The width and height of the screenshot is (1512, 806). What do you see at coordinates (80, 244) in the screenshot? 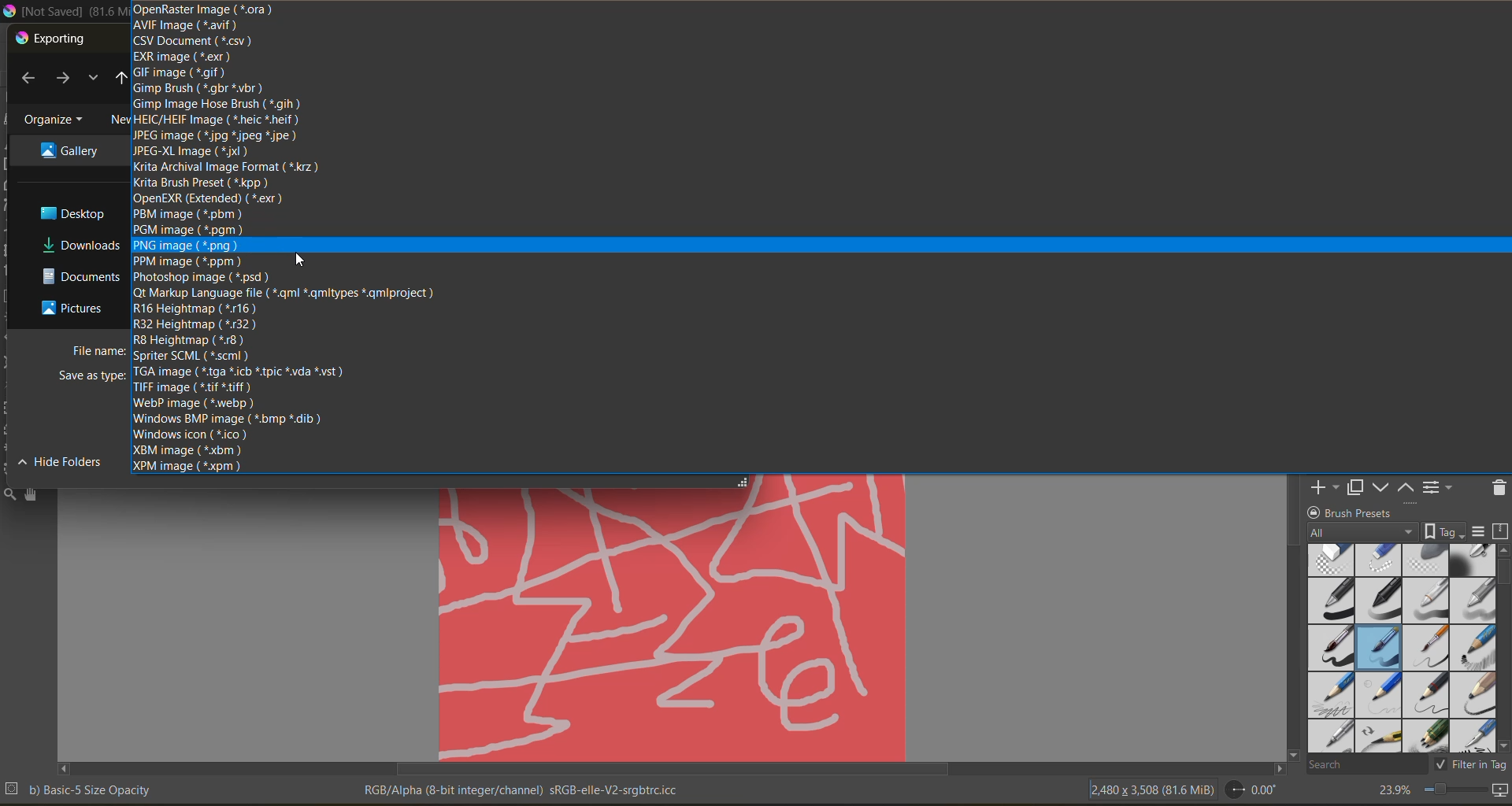
I see `folder destination` at bounding box center [80, 244].